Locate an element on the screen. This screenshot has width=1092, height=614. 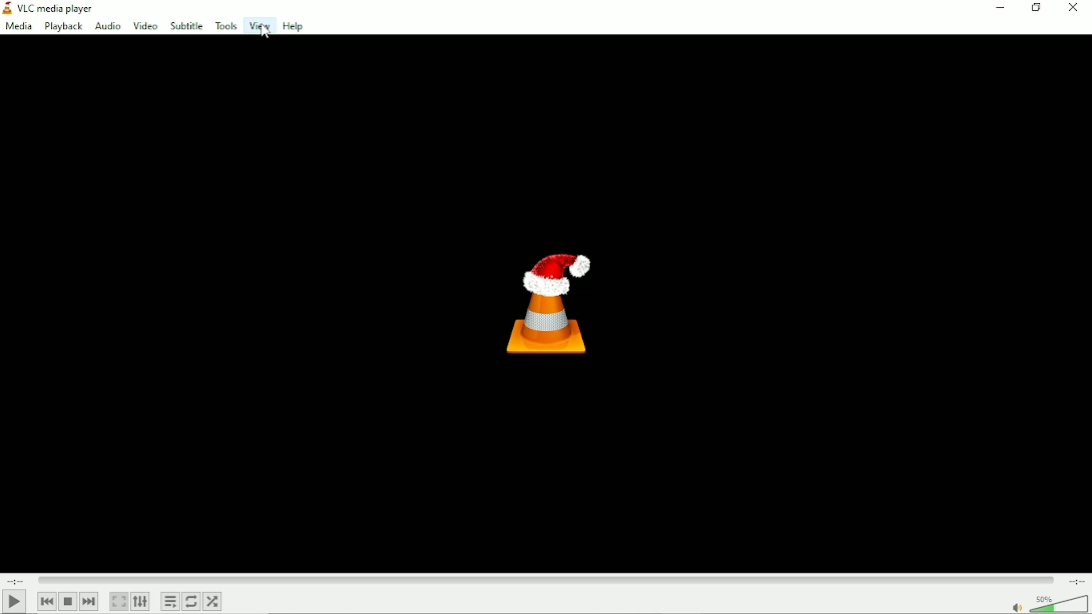
Volume is located at coordinates (1049, 602).